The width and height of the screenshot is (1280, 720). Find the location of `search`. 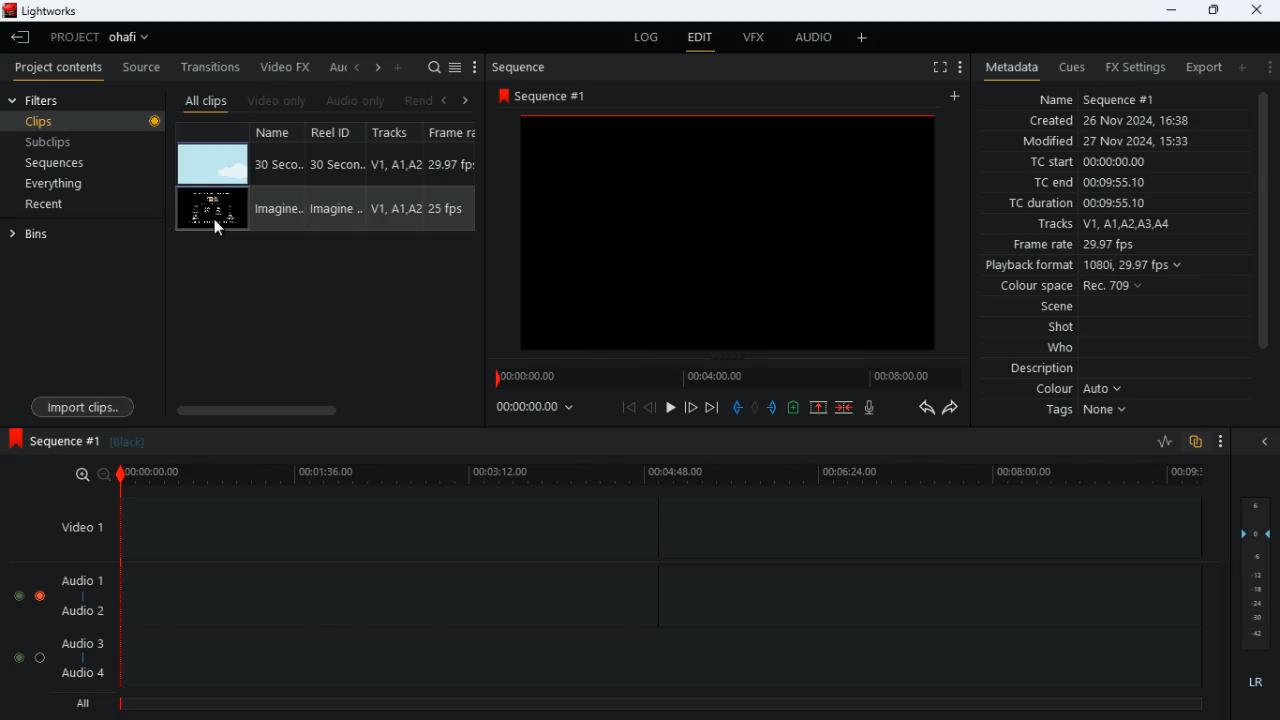

search is located at coordinates (434, 67).